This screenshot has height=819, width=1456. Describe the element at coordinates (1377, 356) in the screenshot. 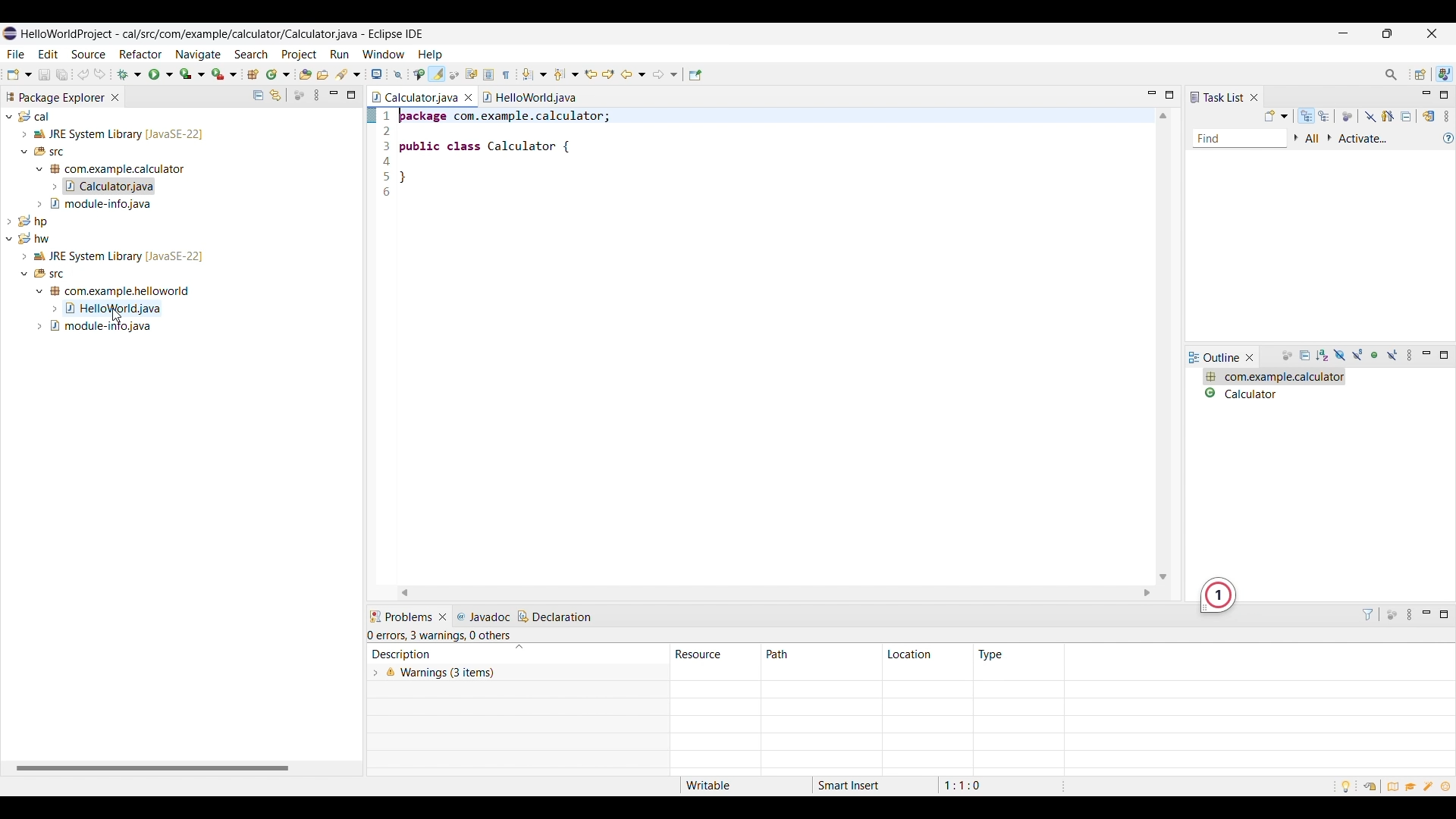

I see `Hide non-public members` at that location.